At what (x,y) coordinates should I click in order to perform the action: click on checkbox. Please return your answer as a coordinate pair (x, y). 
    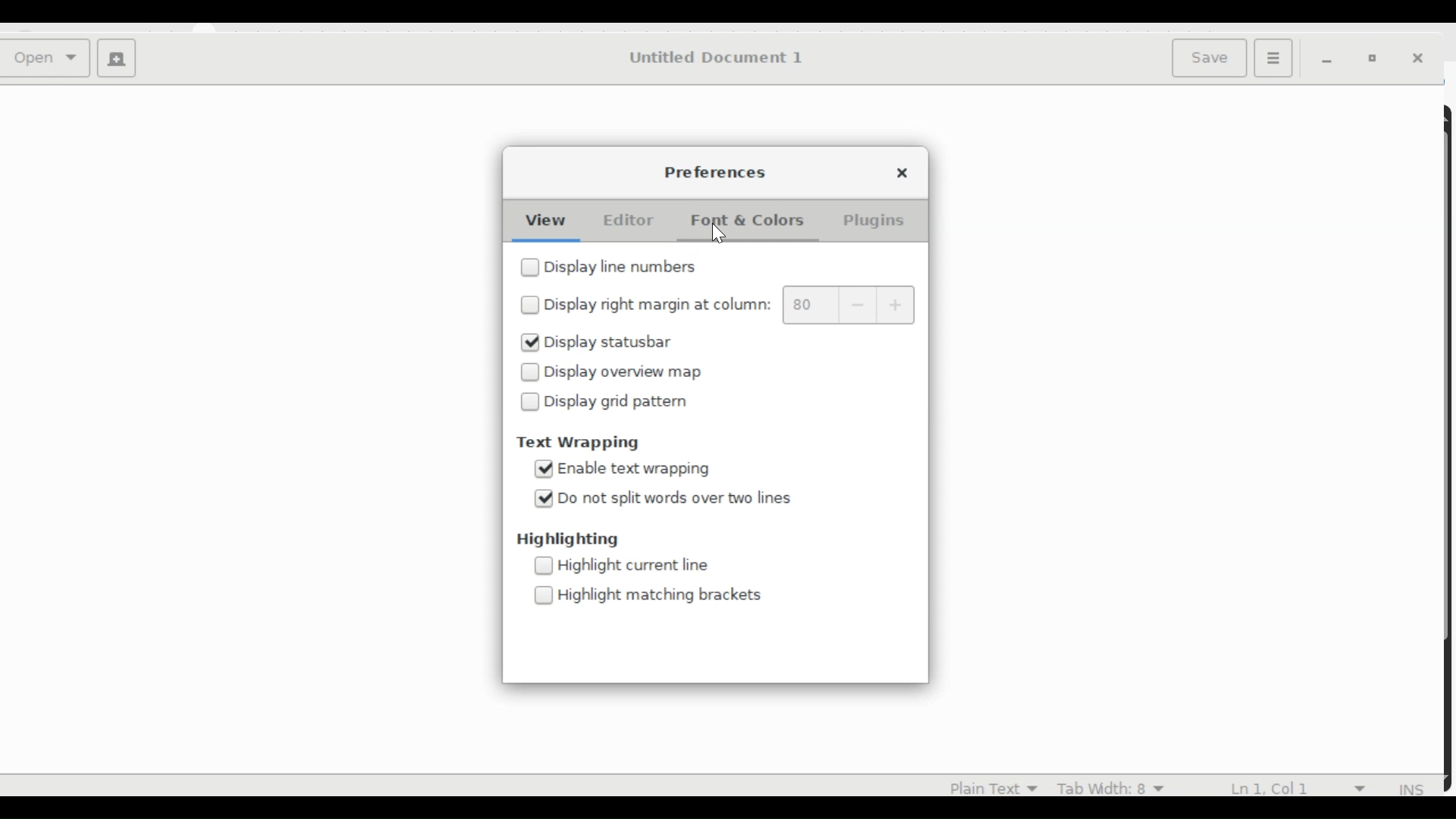
    Looking at the image, I should click on (543, 566).